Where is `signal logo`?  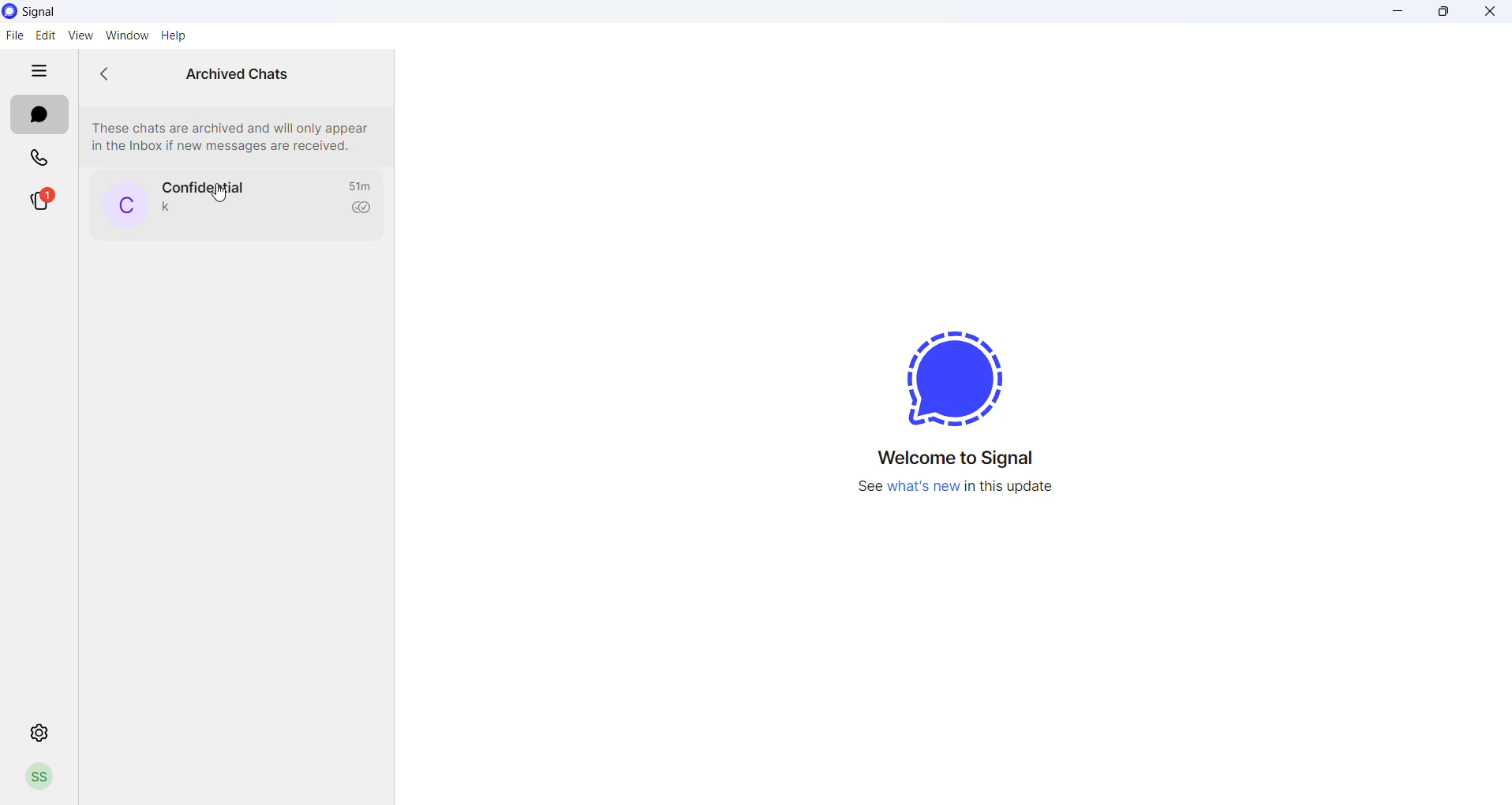 signal logo is located at coordinates (962, 375).